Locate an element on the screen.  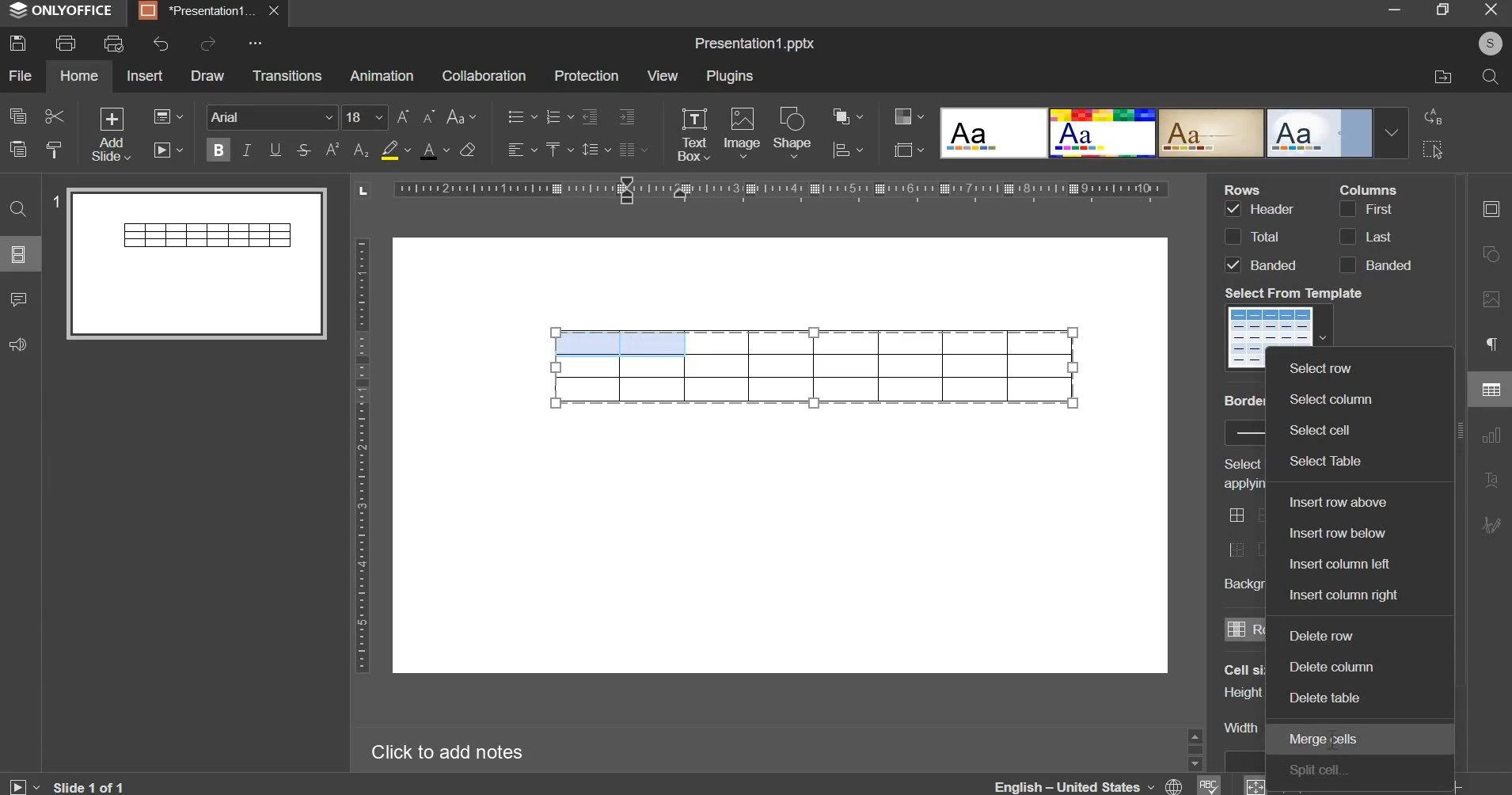
vertical alignment is located at coordinates (557, 149).